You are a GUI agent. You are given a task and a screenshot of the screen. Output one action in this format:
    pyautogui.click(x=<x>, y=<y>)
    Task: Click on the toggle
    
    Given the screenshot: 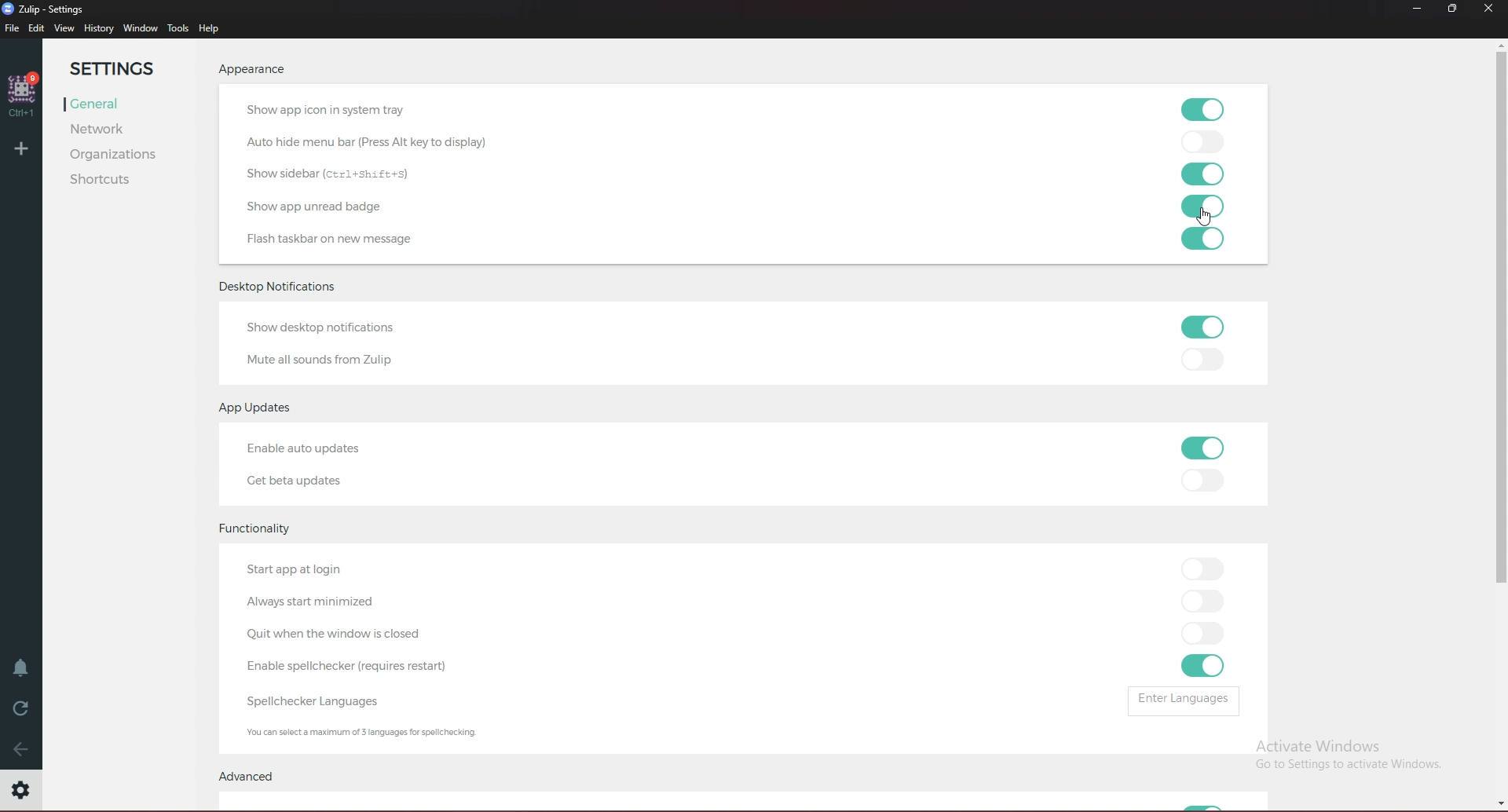 What is the action you would take?
    pyautogui.click(x=1203, y=599)
    